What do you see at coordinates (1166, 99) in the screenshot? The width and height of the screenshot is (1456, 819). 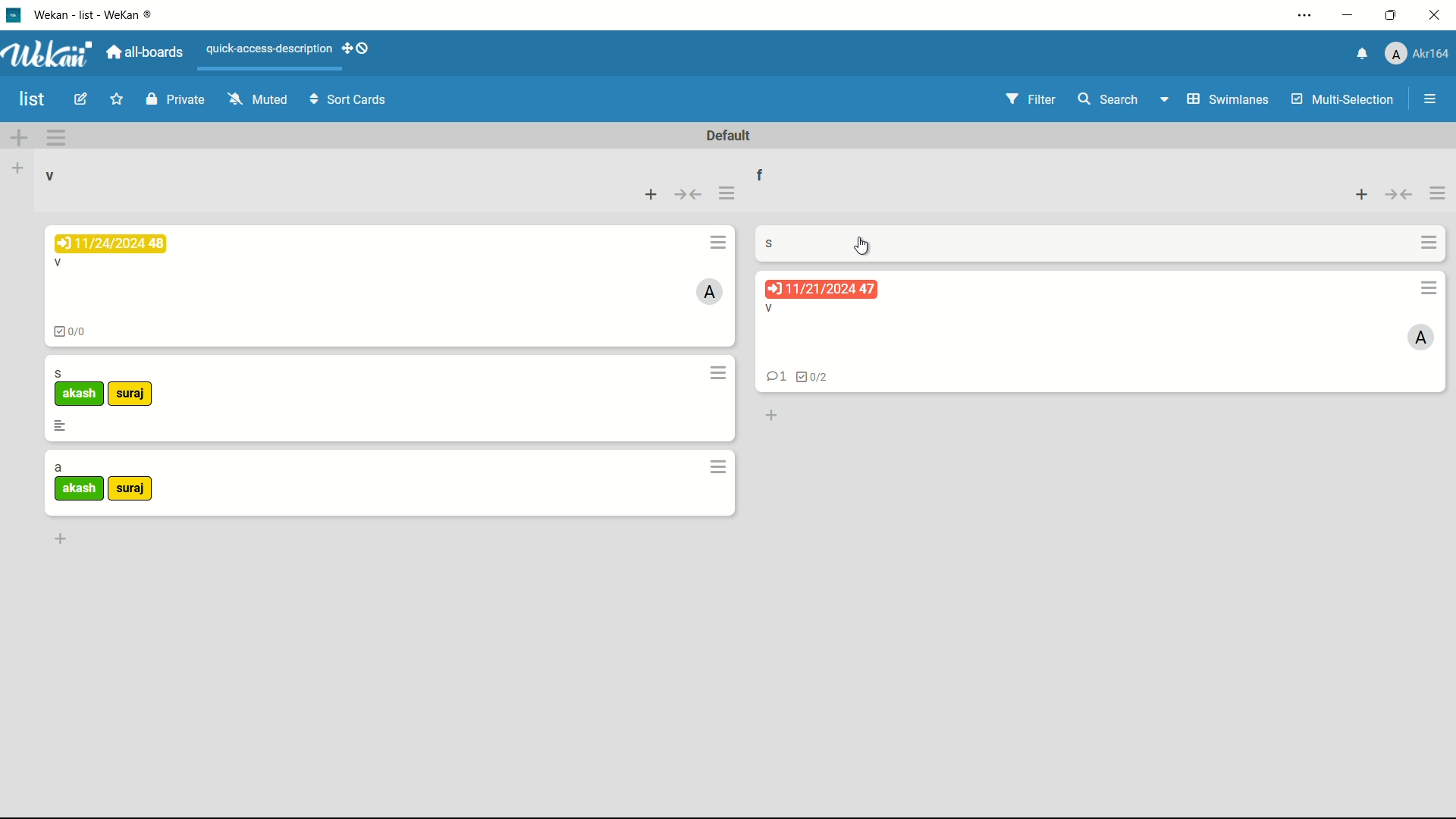 I see `Drop-down ` at bounding box center [1166, 99].